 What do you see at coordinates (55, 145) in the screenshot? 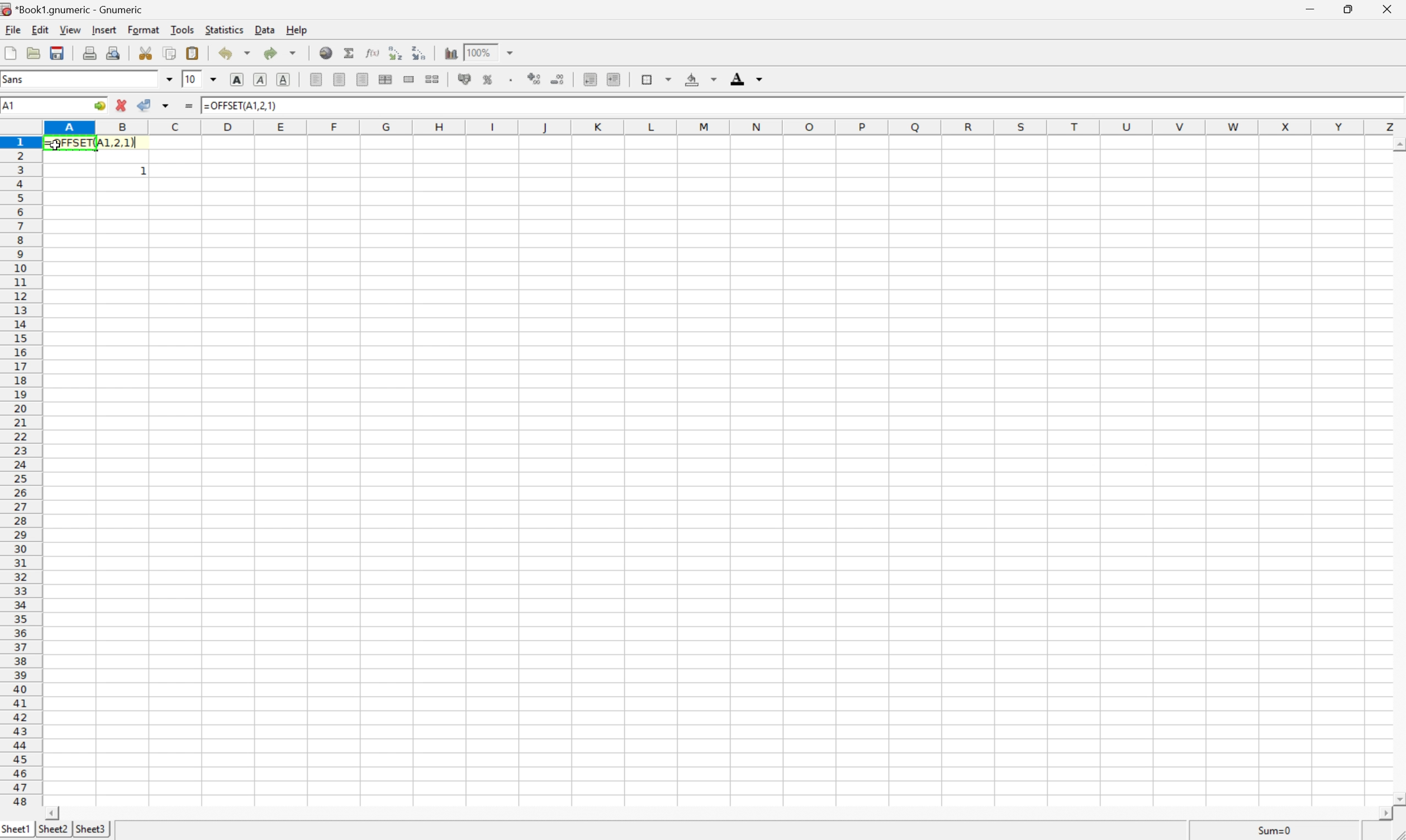
I see `cursor` at bounding box center [55, 145].